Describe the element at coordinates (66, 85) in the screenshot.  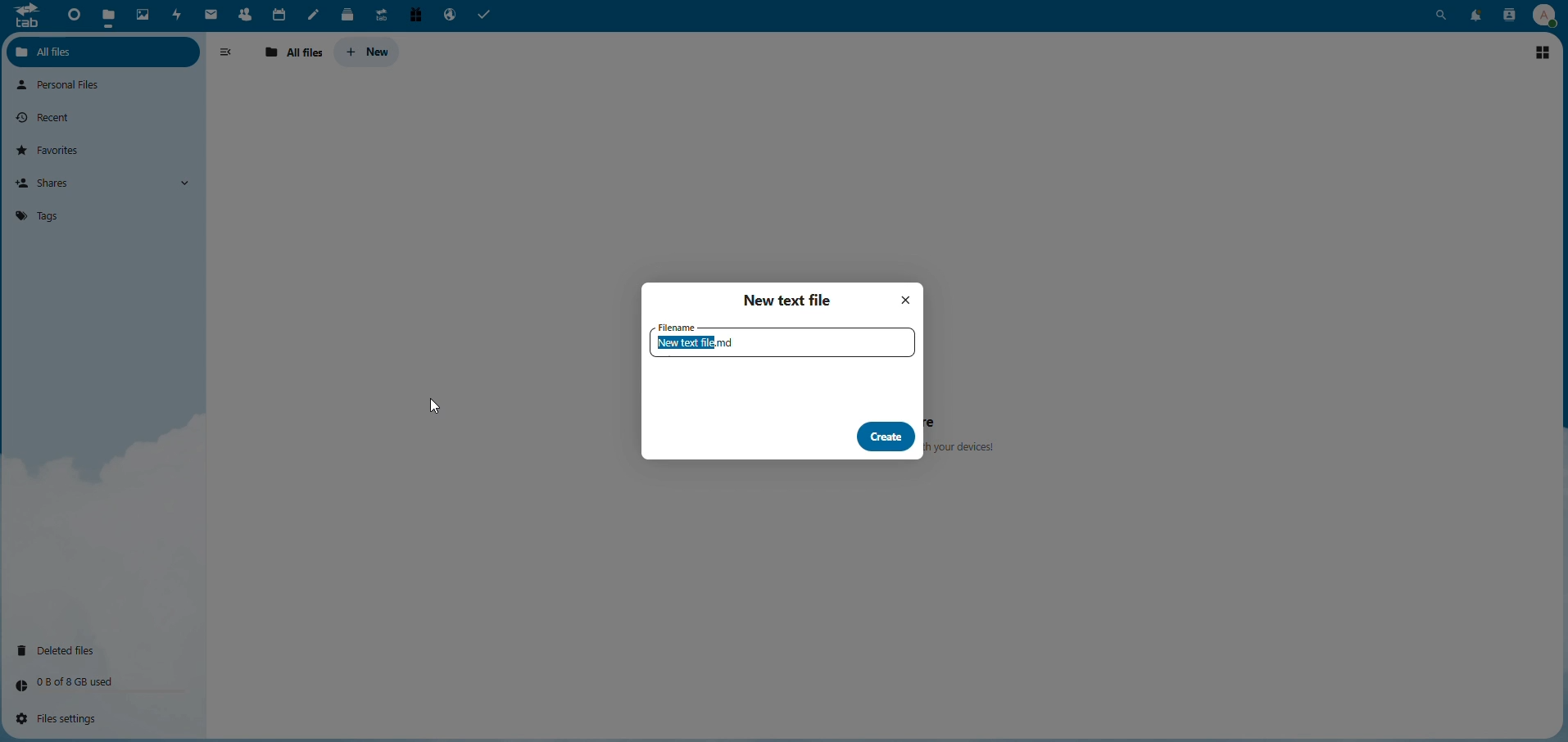
I see `Personal Files` at that location.